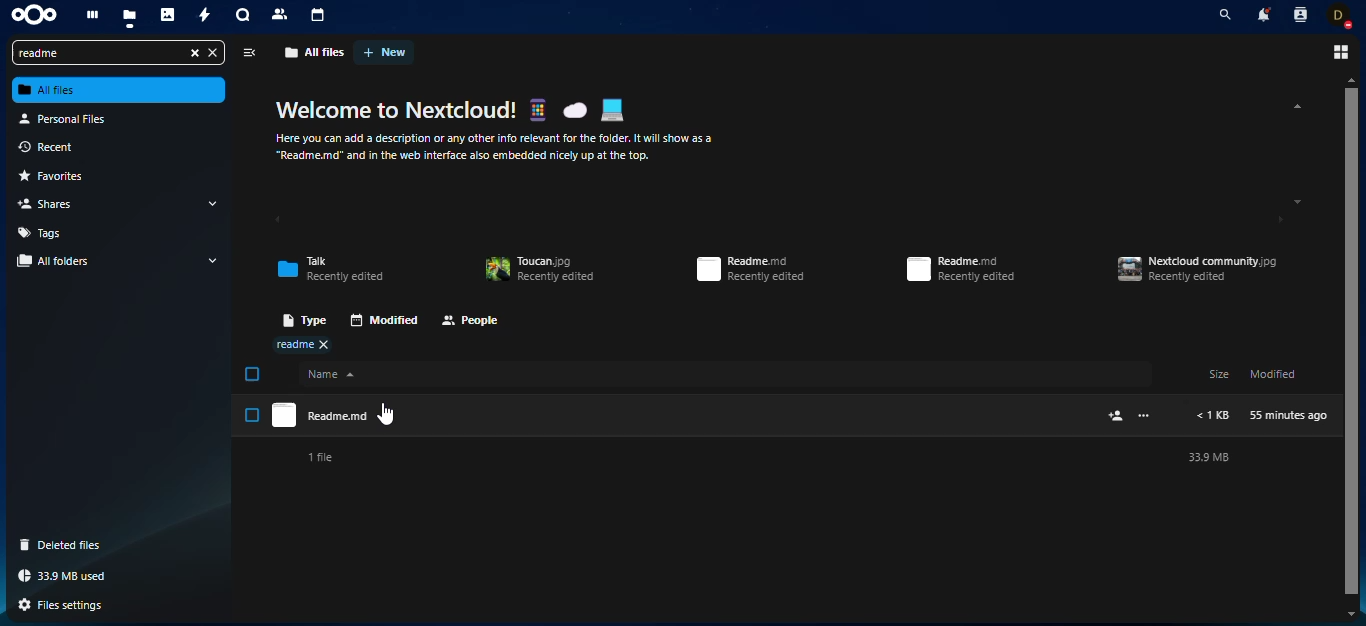 This screenshot has height=626, width=1366. Describe the element at coordinates (1294, 106) in the screenshot. I see `scroll up` at that location.